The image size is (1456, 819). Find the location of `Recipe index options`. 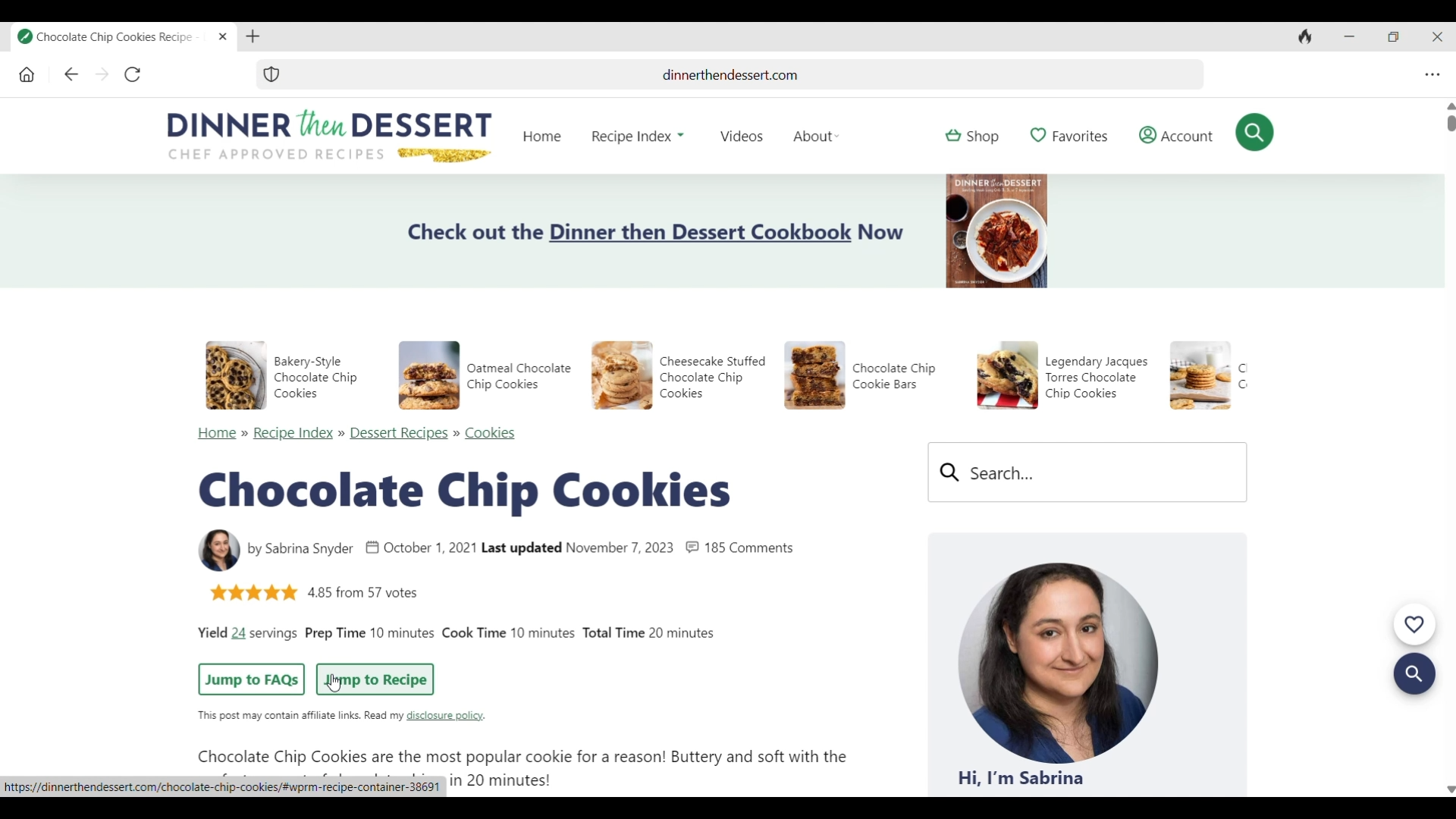

Recipe index options is located at coordinates (638, 136).